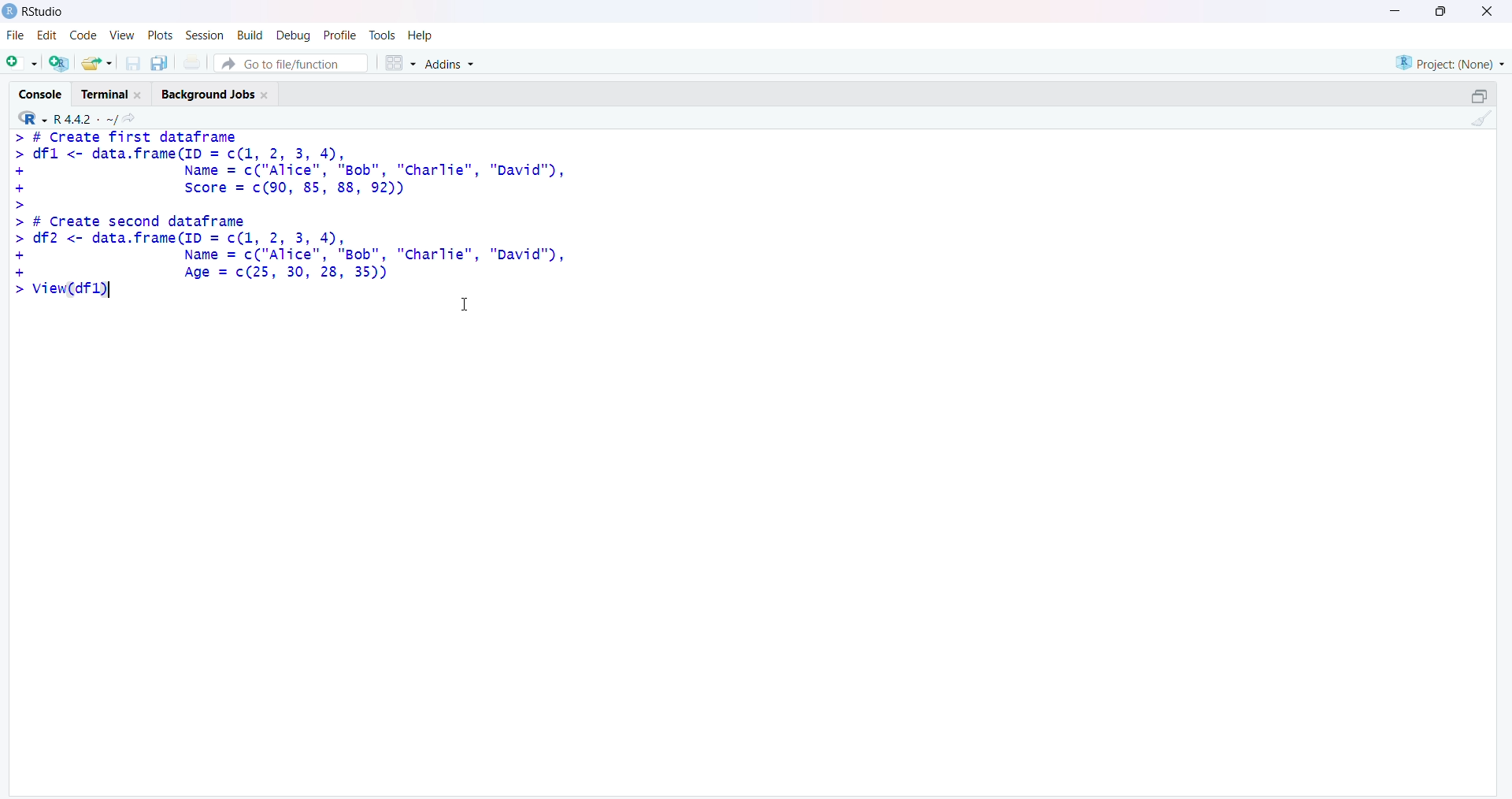 This screenshot has height=799, width=1512. I want to click on > # Create first dataframe

> dfl <- data.frame(ID = c(1, 2, 3, 4),

+ Name = c("Alice", "Bob", "Charlie", "David"),
+ Score = c(90, 85, 88, 92))

>, so click(290, 170).